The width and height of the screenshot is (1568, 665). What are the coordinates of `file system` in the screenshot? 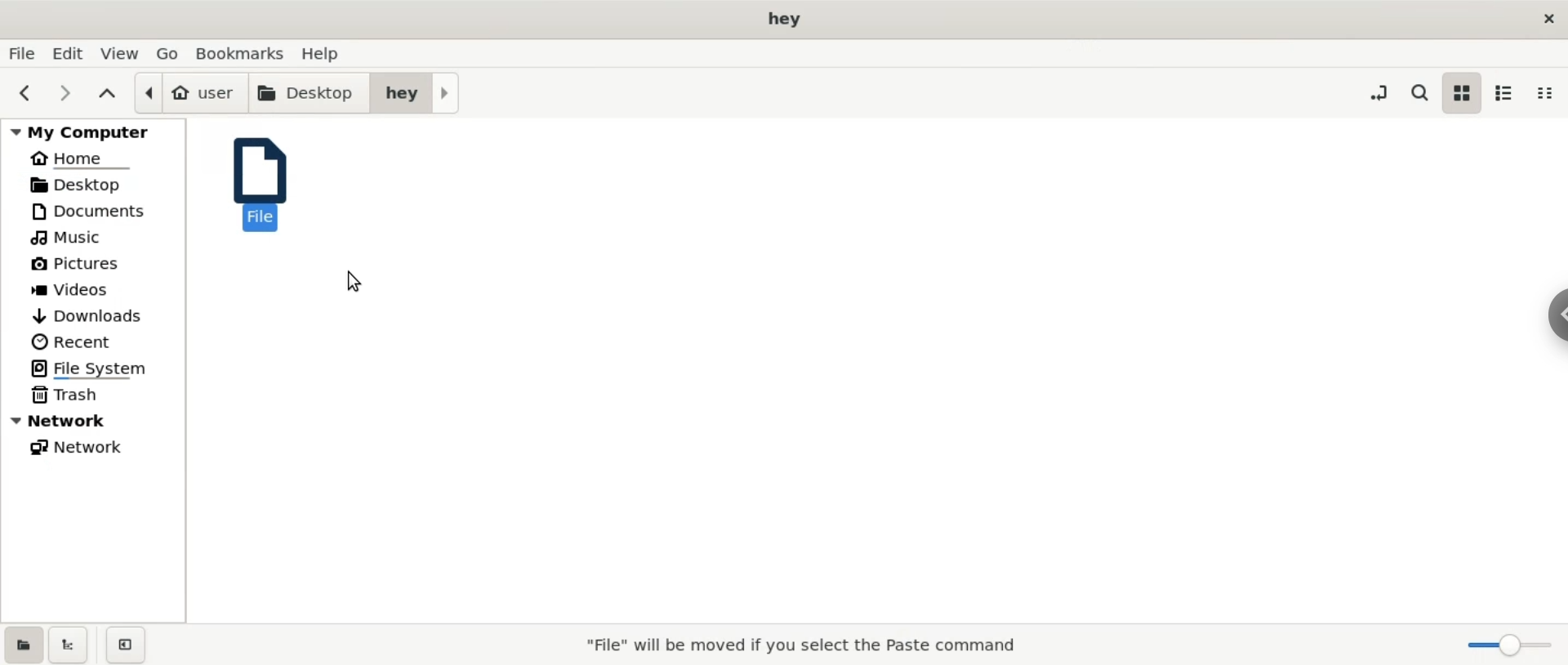 It's located at (98, 369).